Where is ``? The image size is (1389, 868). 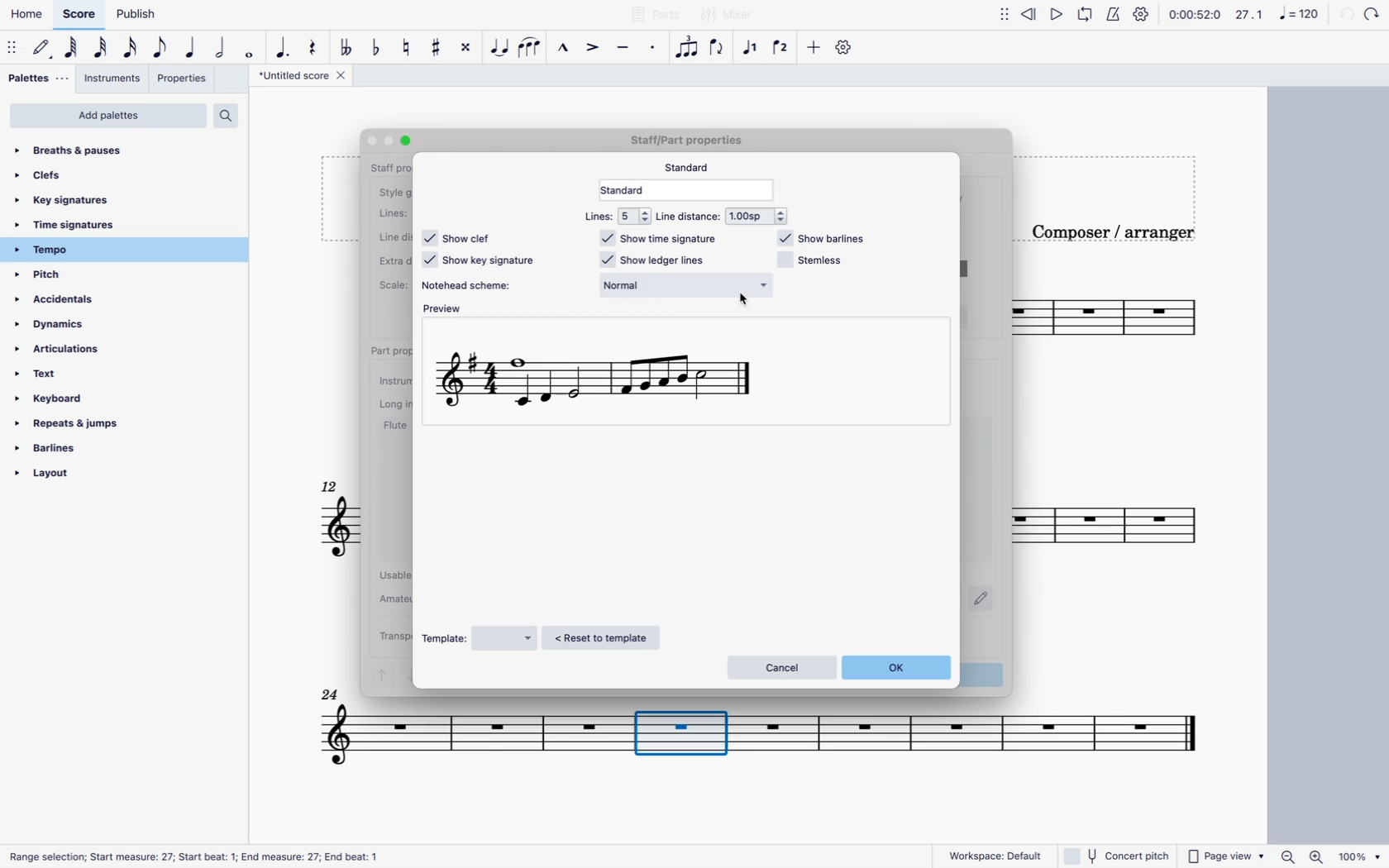  is located at coordinates (330, 694).